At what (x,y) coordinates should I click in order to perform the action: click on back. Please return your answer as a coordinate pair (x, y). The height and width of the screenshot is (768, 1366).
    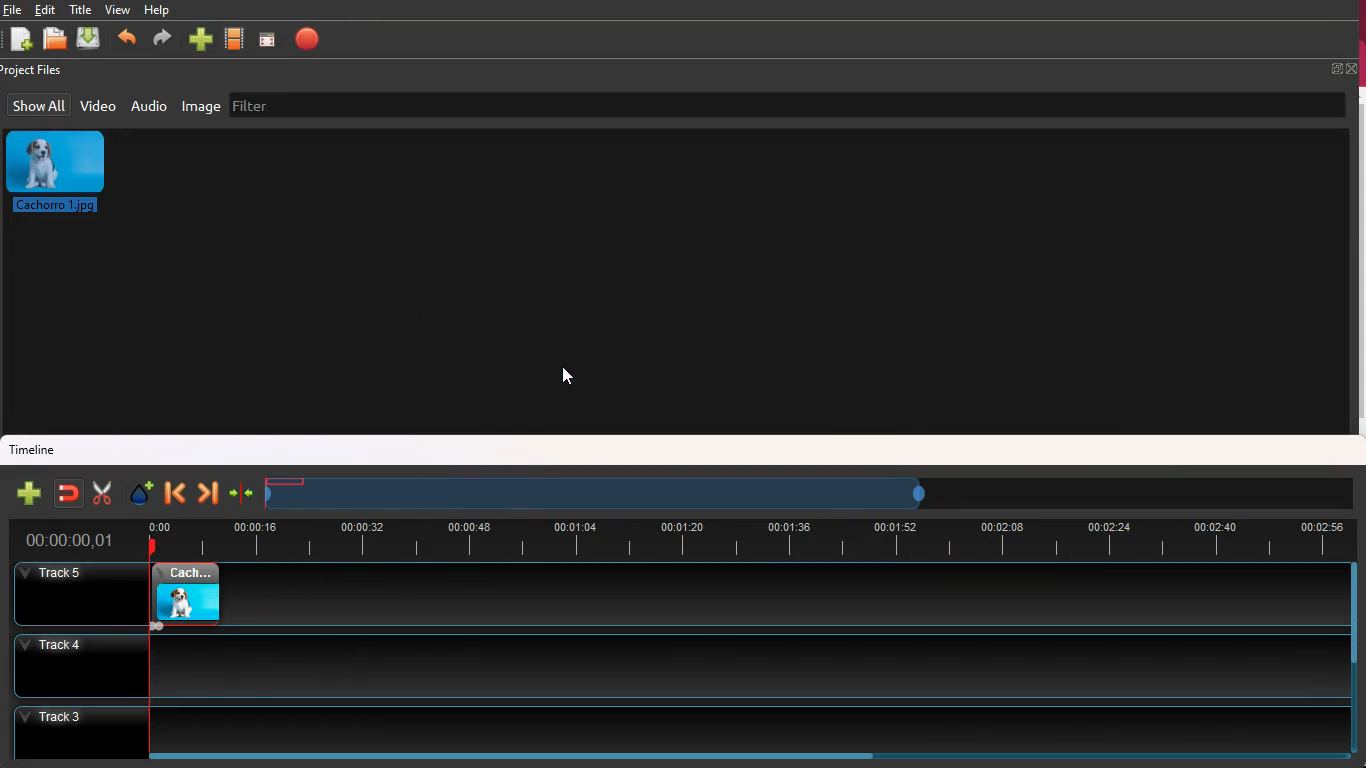
    Looking at the image, I should click on (172, 494).